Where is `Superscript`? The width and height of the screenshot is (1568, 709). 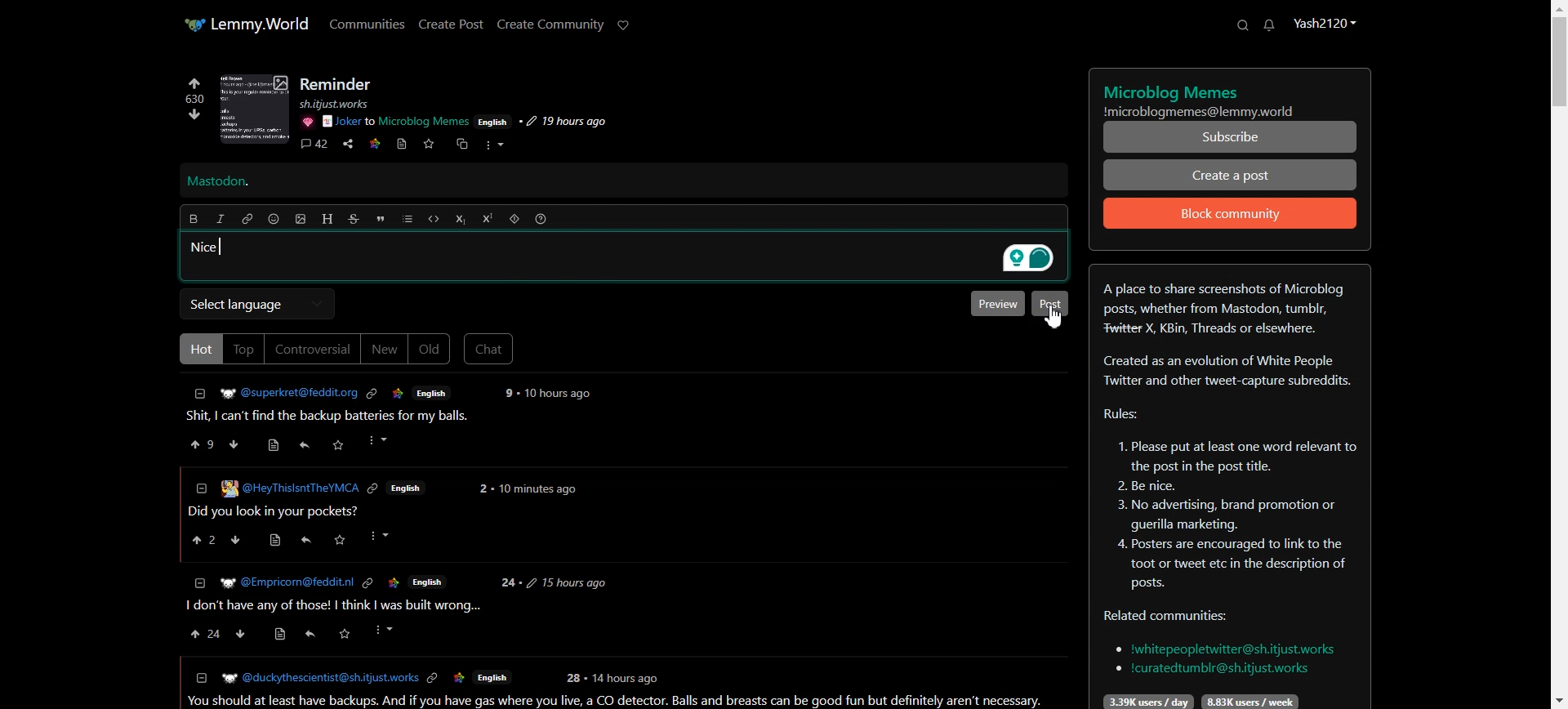
Superscript is located at coordinates (488, 218).